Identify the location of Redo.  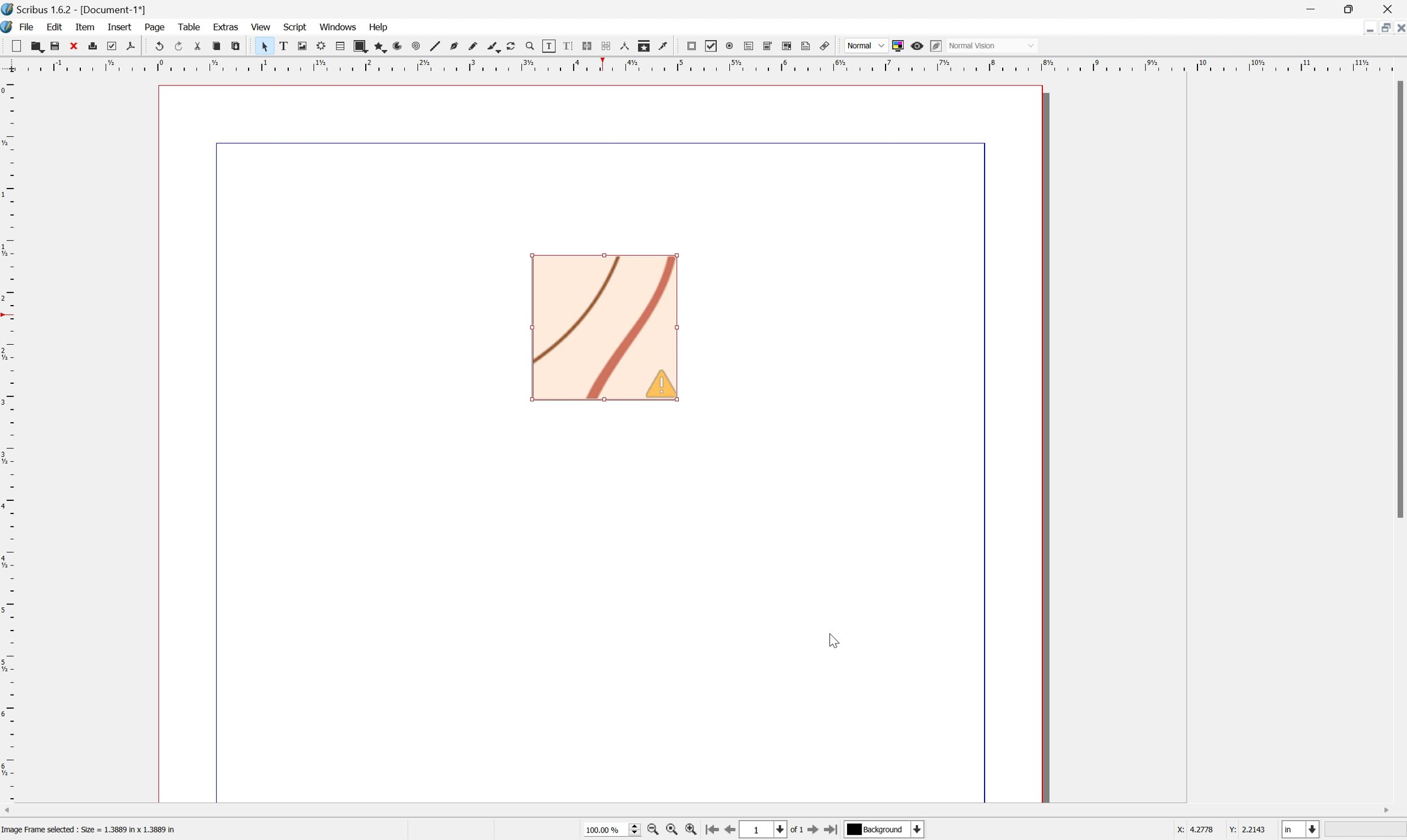
(177, 45).